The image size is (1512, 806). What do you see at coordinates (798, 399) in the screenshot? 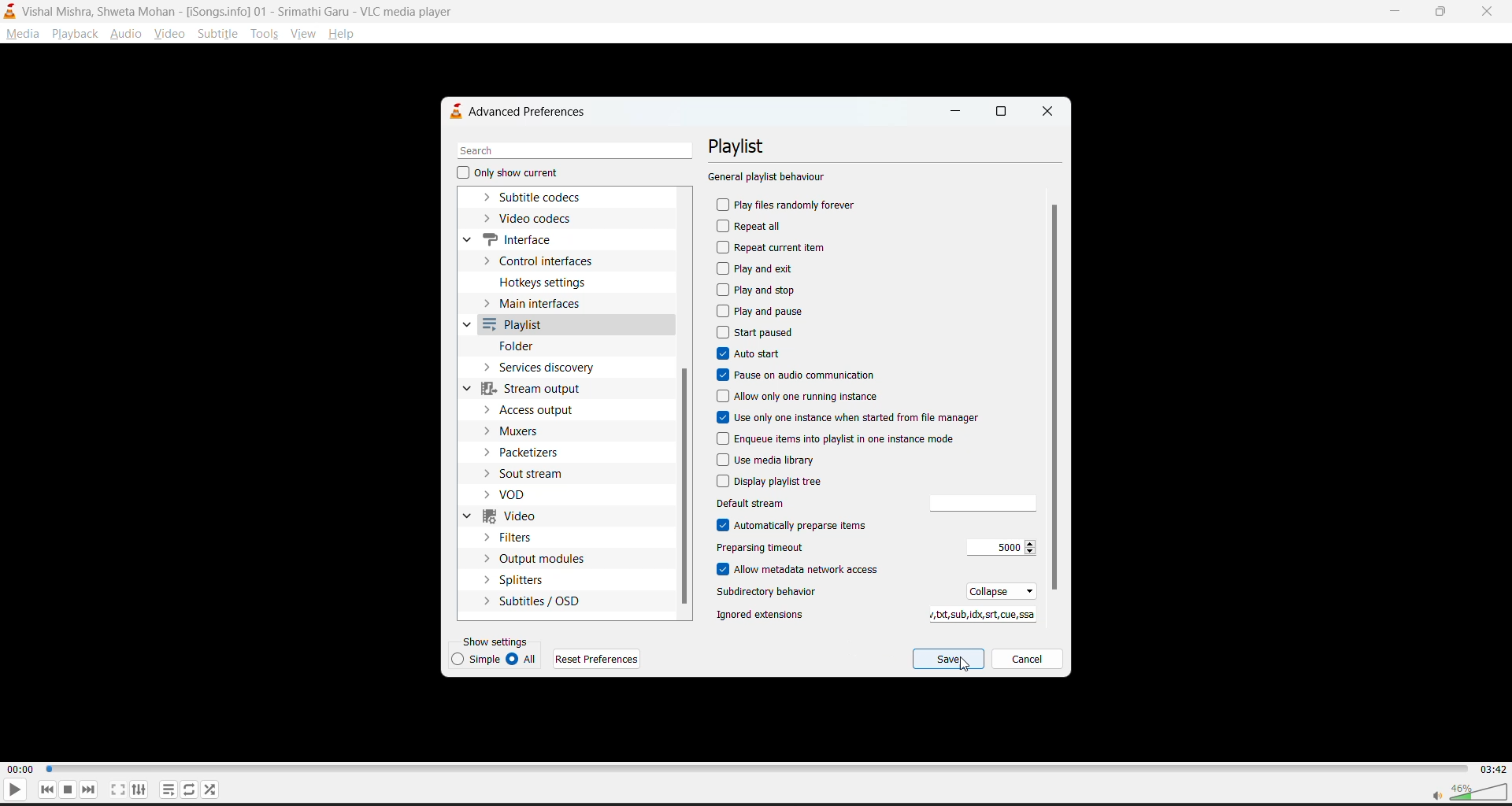
I see `allow only one running instance` at bounding box center [798, 399].